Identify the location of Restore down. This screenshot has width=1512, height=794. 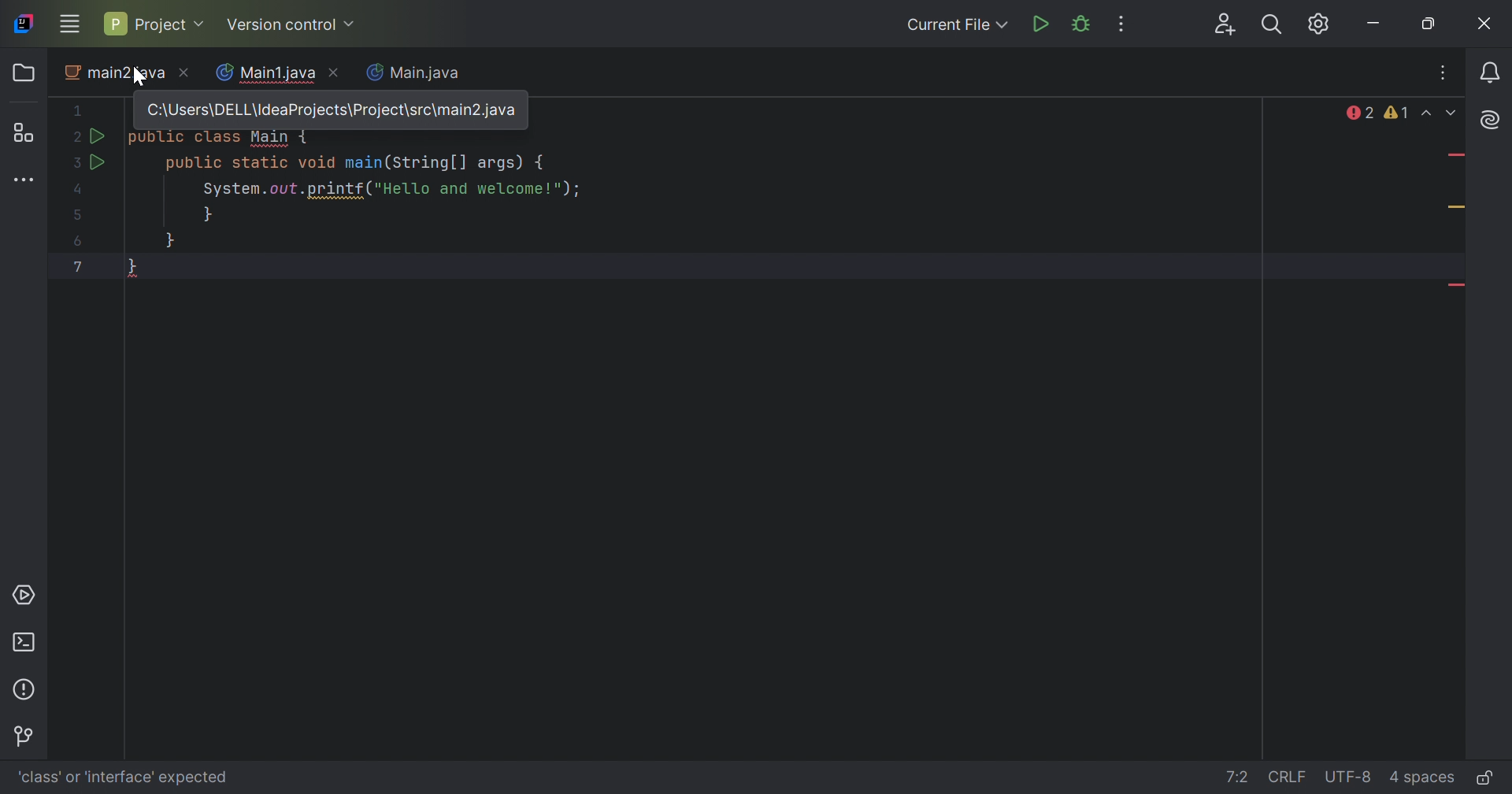
(1430, 24).